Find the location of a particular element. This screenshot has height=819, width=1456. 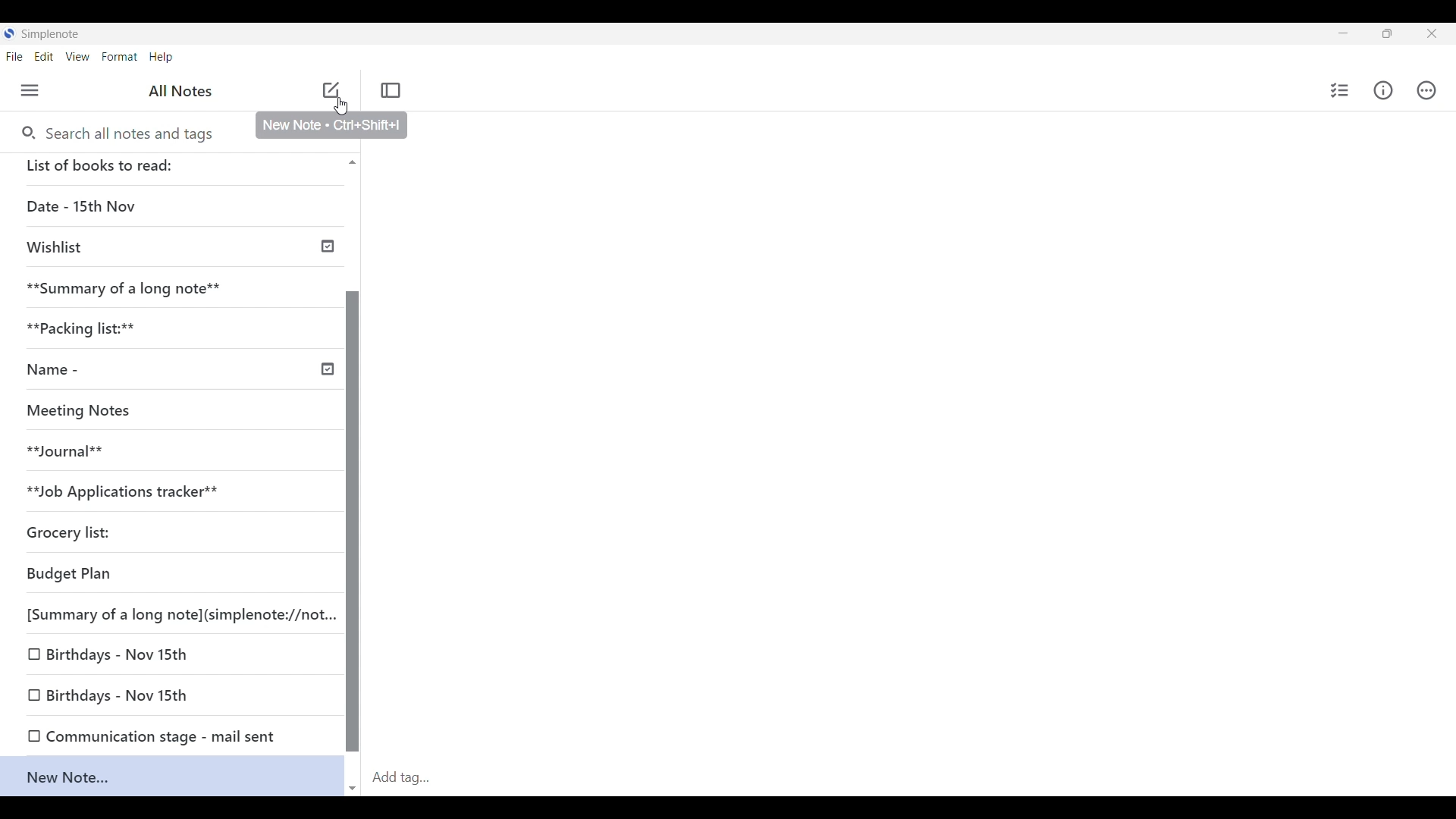

Toggle focus mode is located at coordinates (393, 89).